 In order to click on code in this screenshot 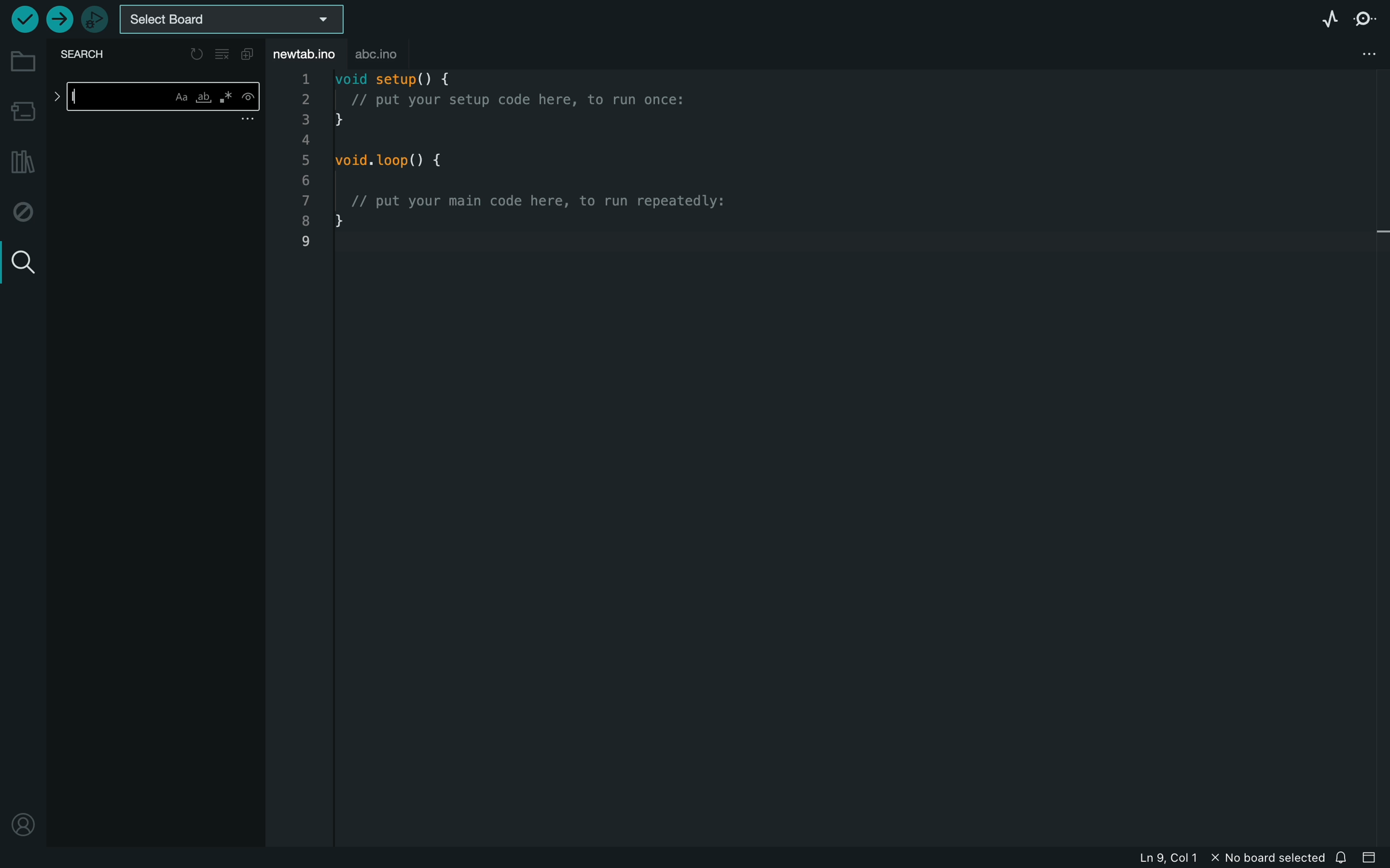, I will do `click(539, 164)`.